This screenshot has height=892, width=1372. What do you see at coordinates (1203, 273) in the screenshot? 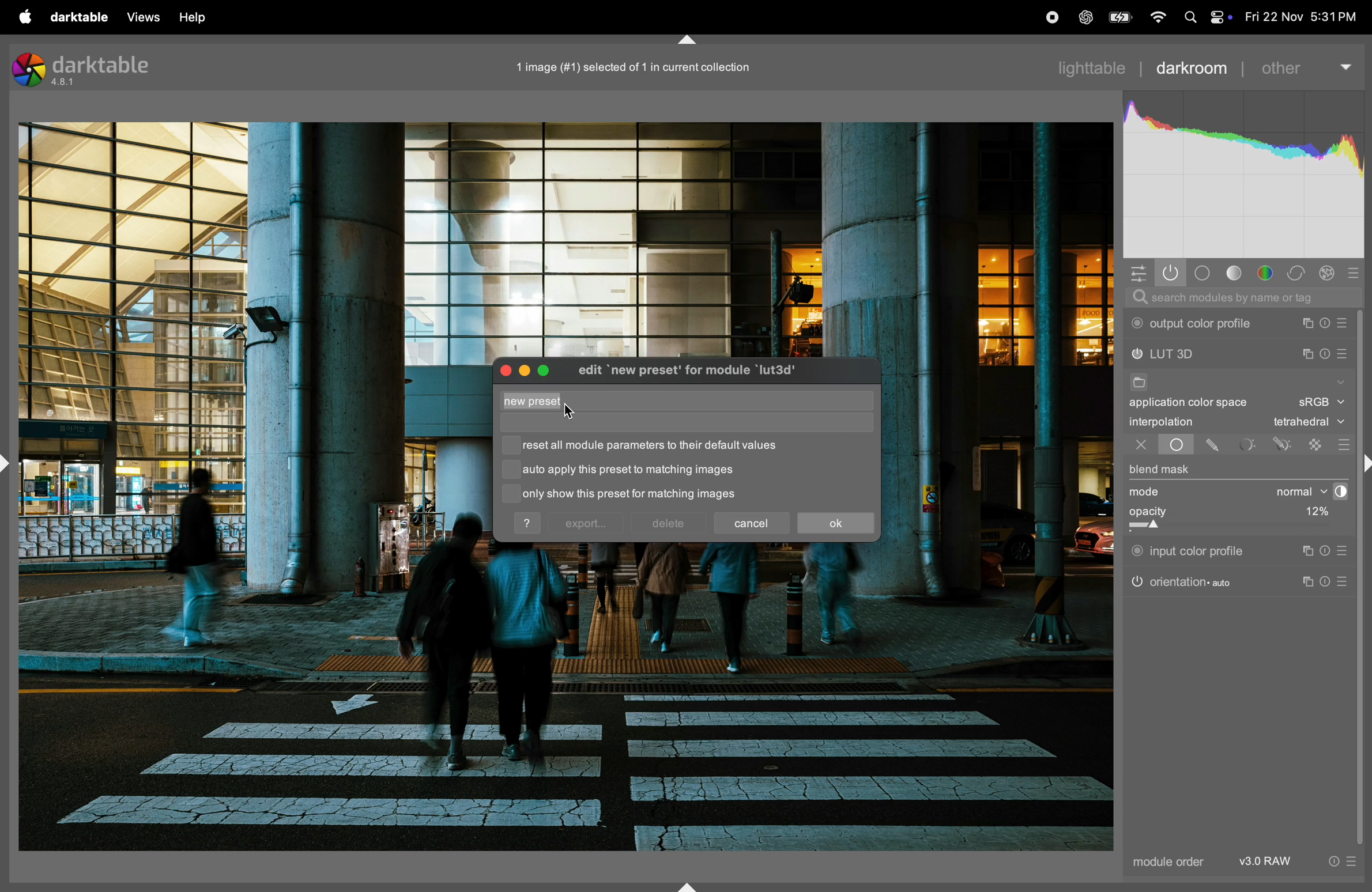
I see `base` at bounding box center [1203, 273].